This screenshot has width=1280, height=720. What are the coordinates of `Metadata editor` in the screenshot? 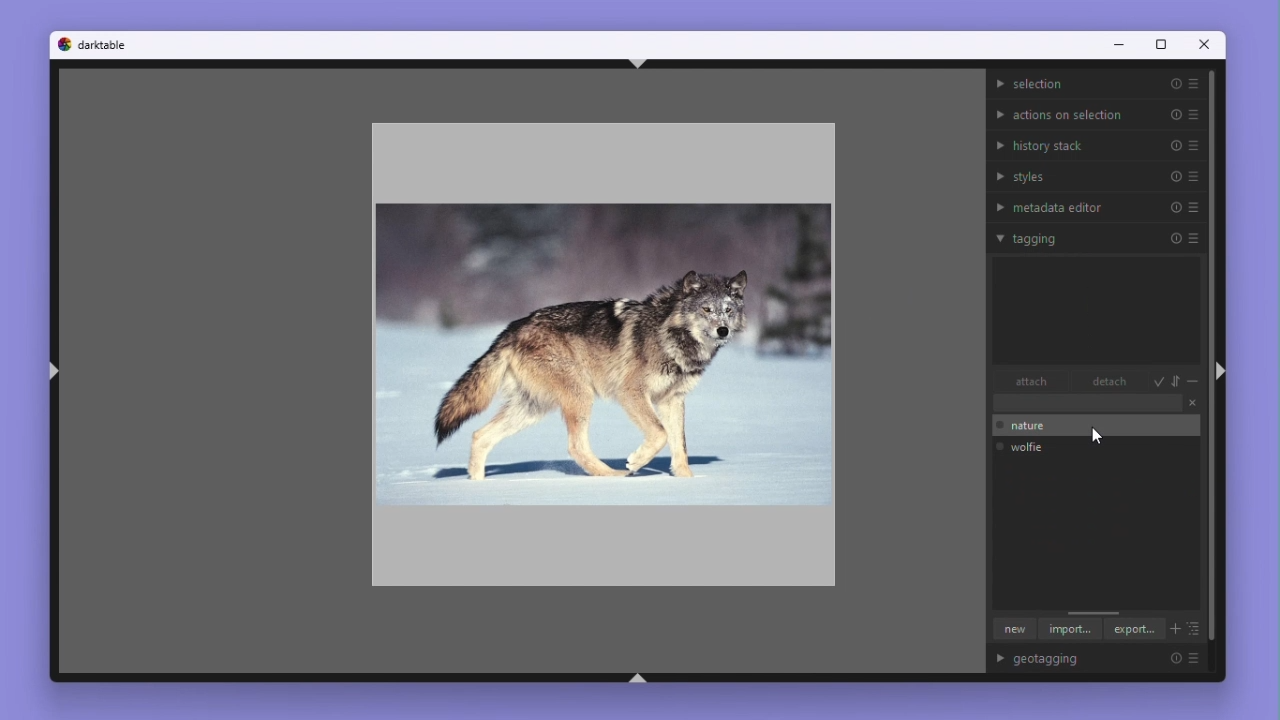 It's located at (1097, 205).